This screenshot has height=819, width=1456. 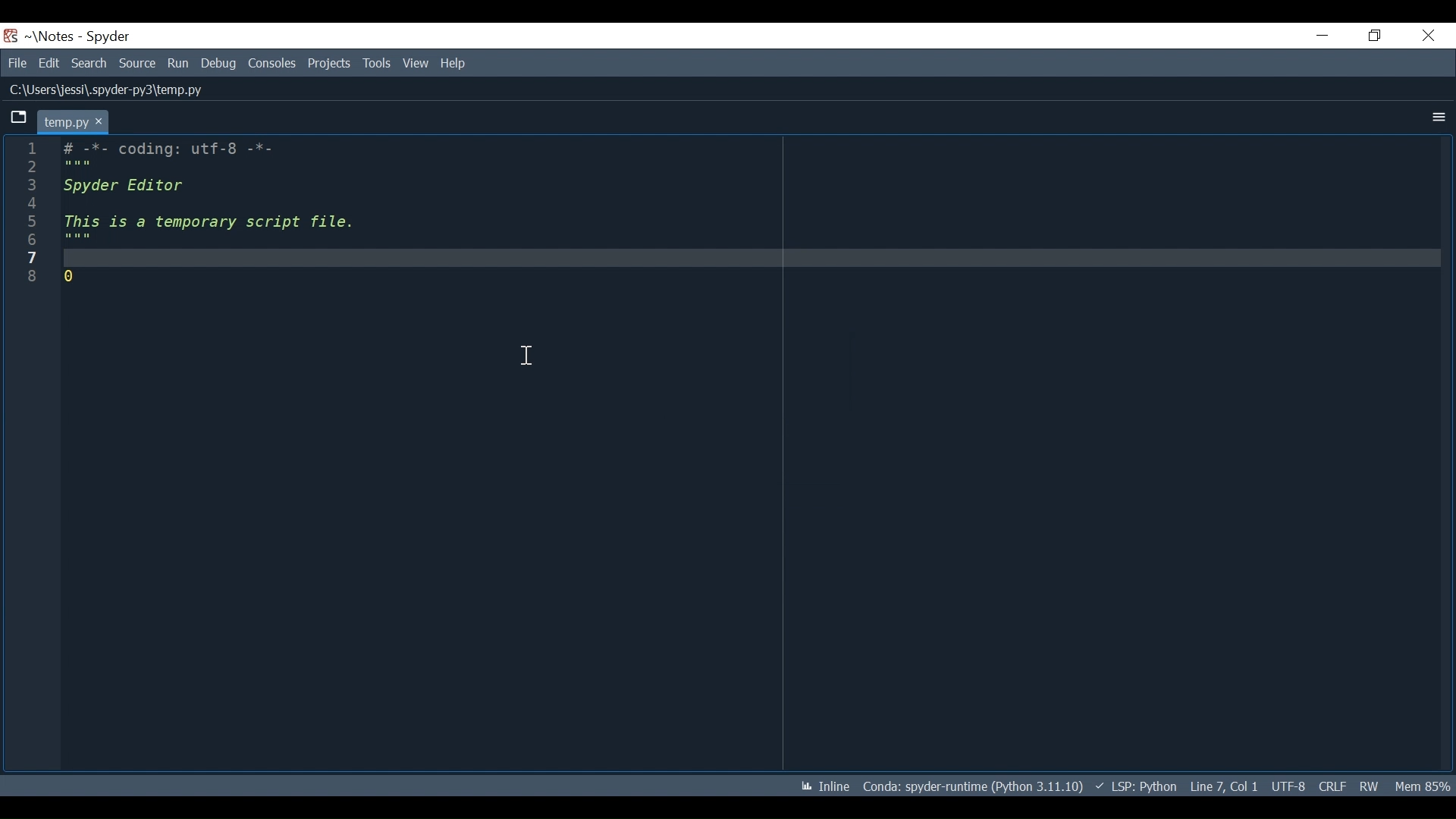 What do you see at coordinates (108, 37) in the screenshot?
I see `Spyder ` at bounding box center [108, 37].